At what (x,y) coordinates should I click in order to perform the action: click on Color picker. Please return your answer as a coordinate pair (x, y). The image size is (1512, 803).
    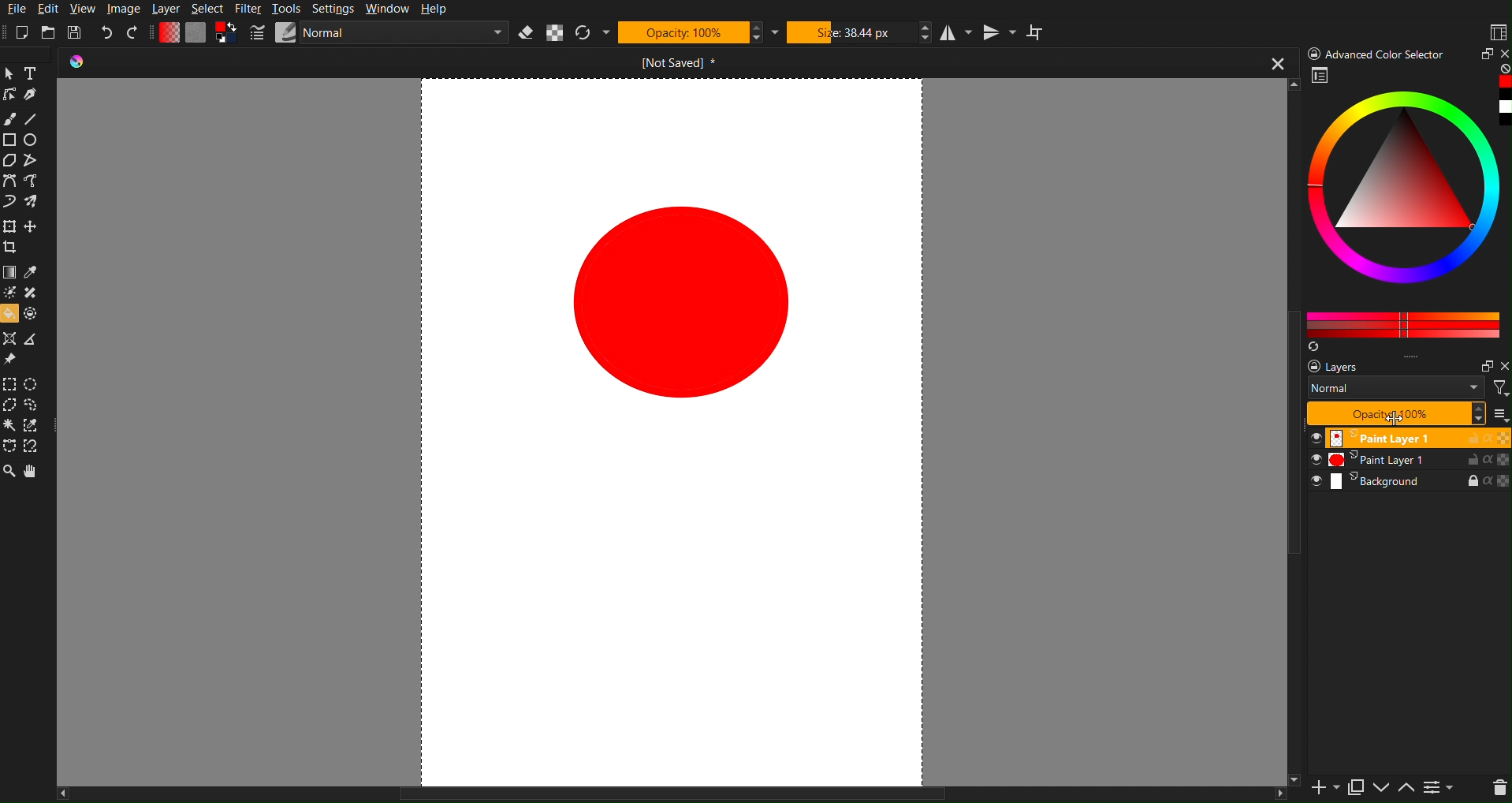
    Looking at the image, I should click on (1409, 192).